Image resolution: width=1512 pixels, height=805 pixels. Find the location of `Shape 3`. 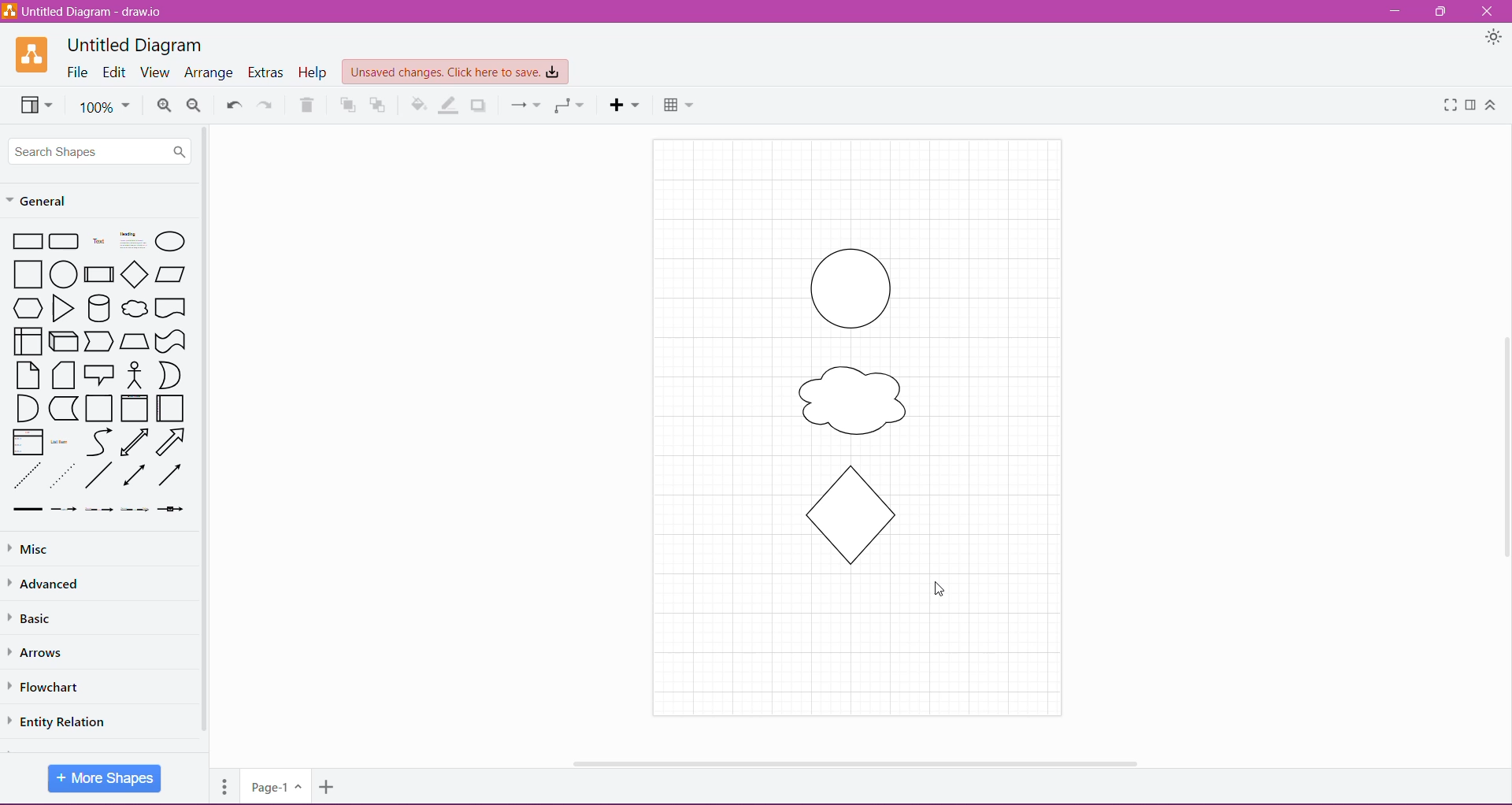

Shape 3 is located at coordinates (840, 516).